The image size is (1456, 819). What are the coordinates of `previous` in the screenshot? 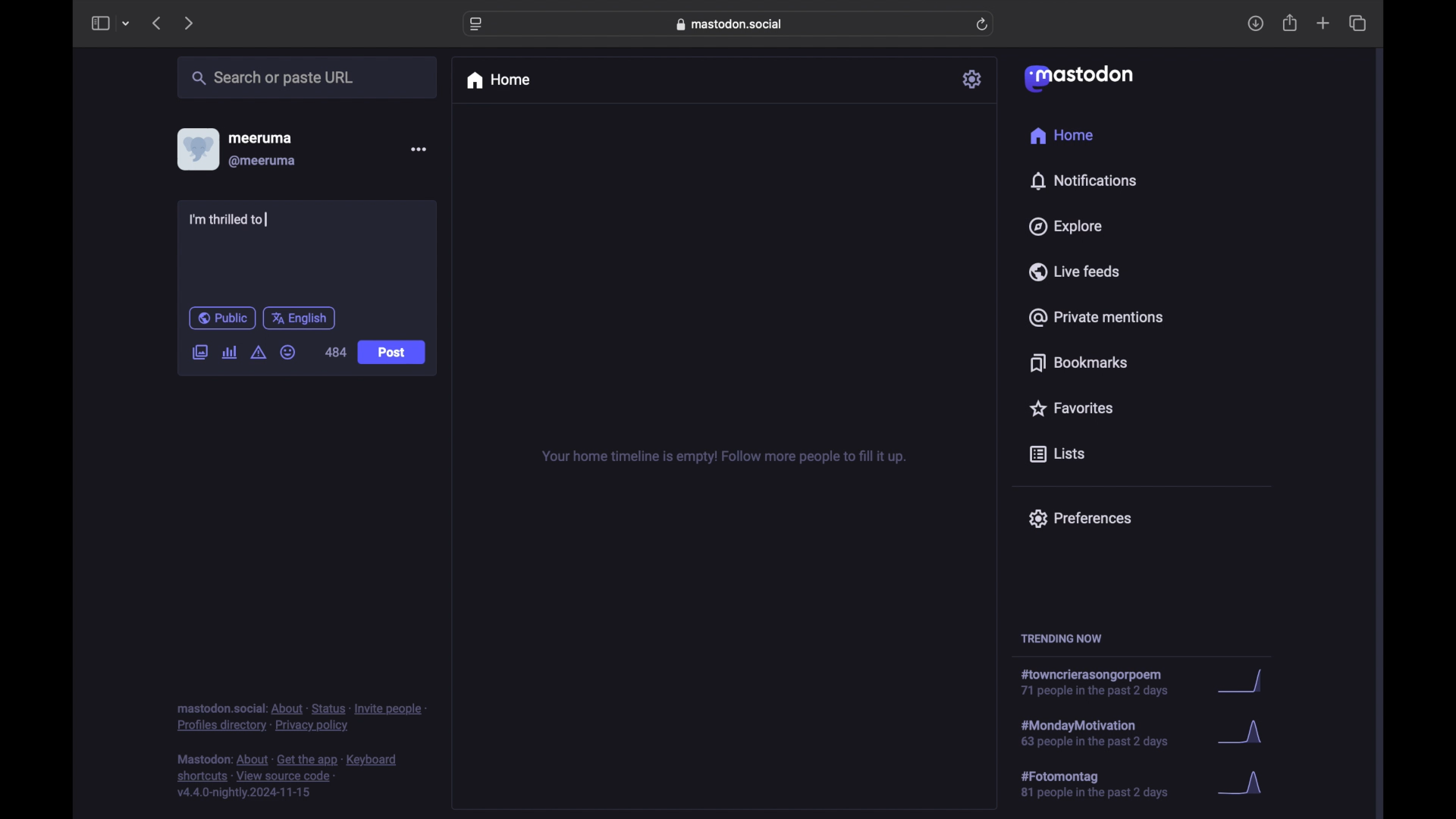 It's located at (156, 23).